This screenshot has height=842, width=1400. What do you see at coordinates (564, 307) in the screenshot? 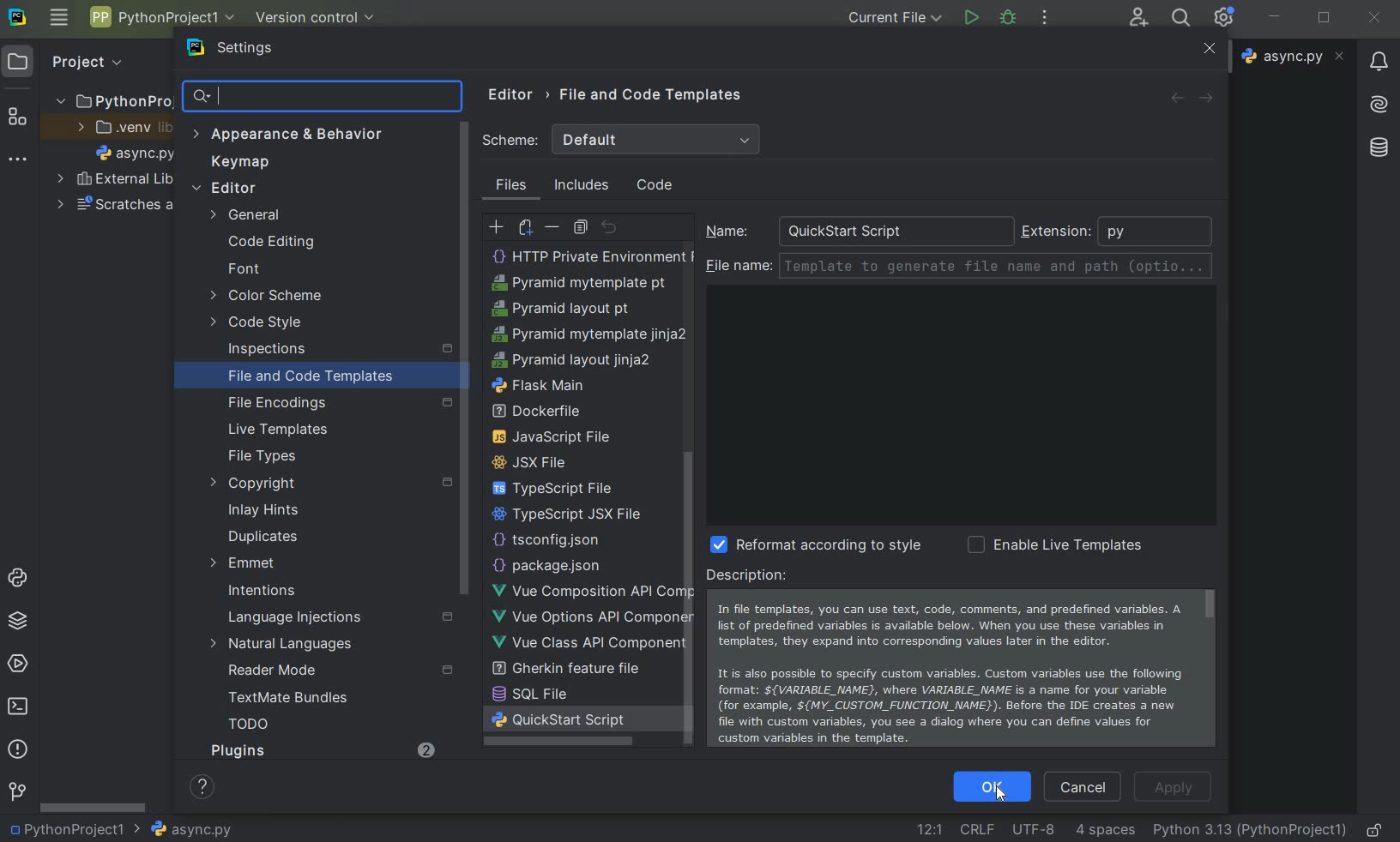
I see `less file` at bounding box center [564, 307].